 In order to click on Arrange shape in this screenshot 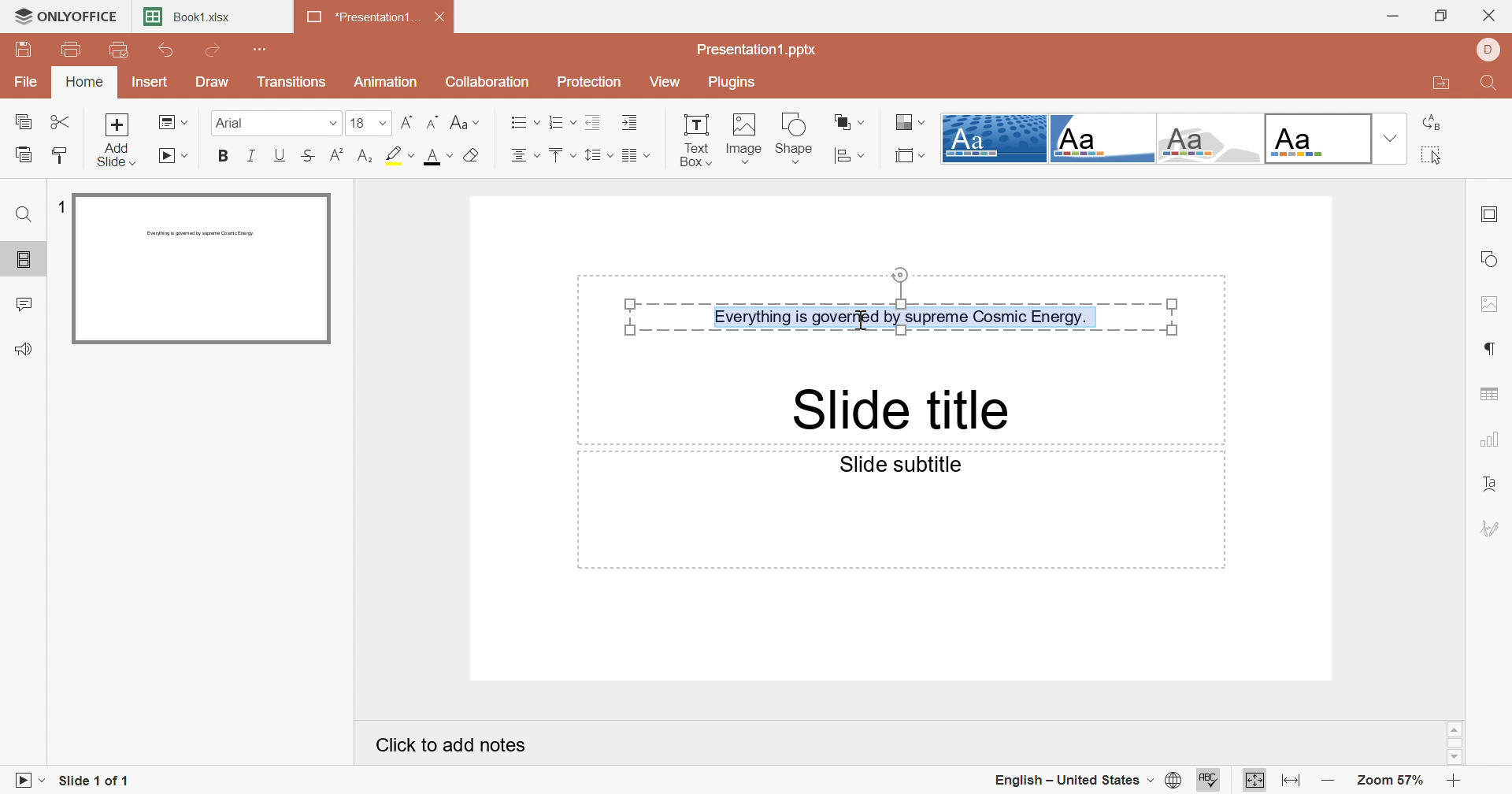, I will do `click(849, 120)`.